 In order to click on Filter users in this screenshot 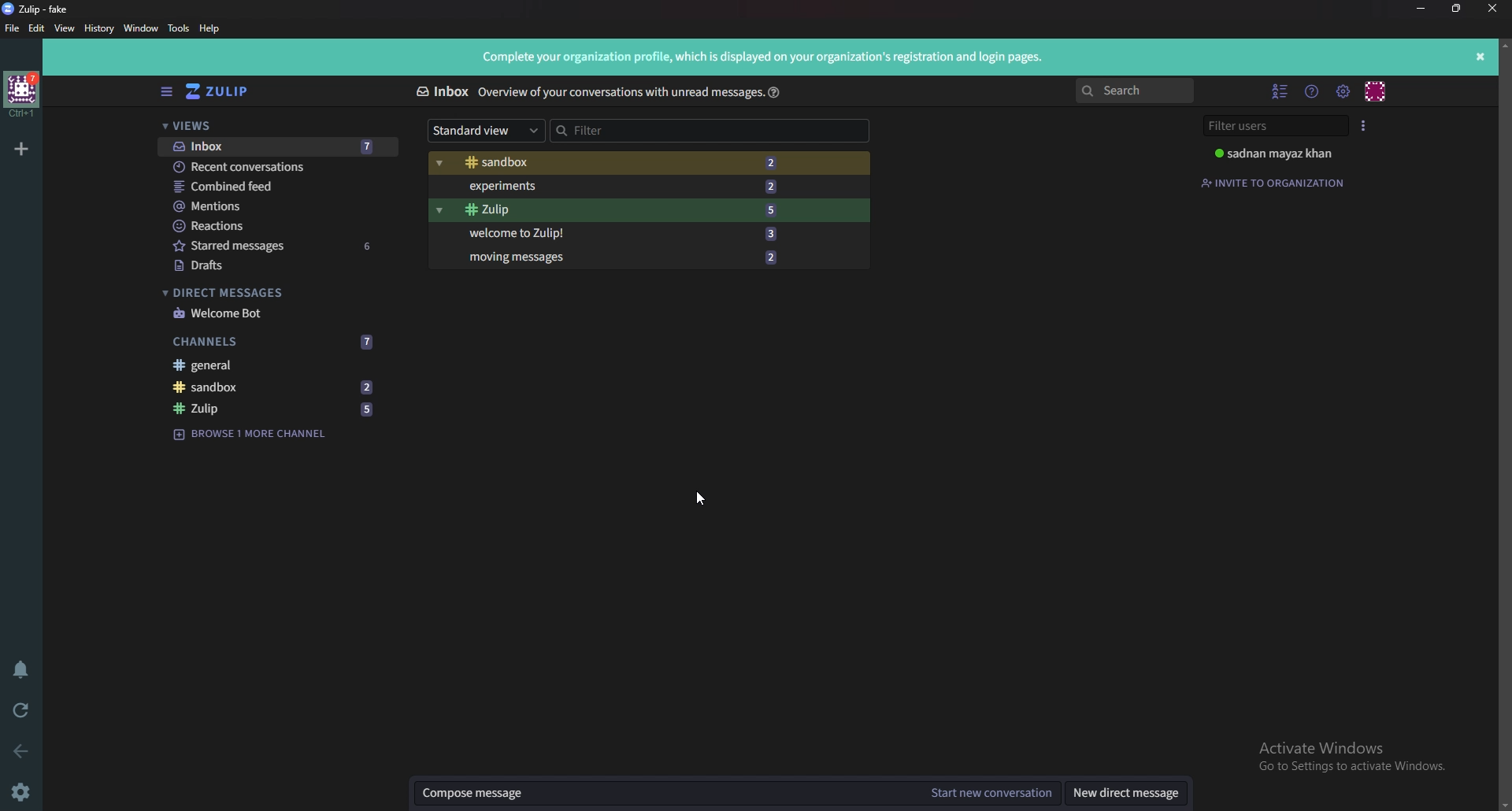, I will do `click(1277, 127)`.